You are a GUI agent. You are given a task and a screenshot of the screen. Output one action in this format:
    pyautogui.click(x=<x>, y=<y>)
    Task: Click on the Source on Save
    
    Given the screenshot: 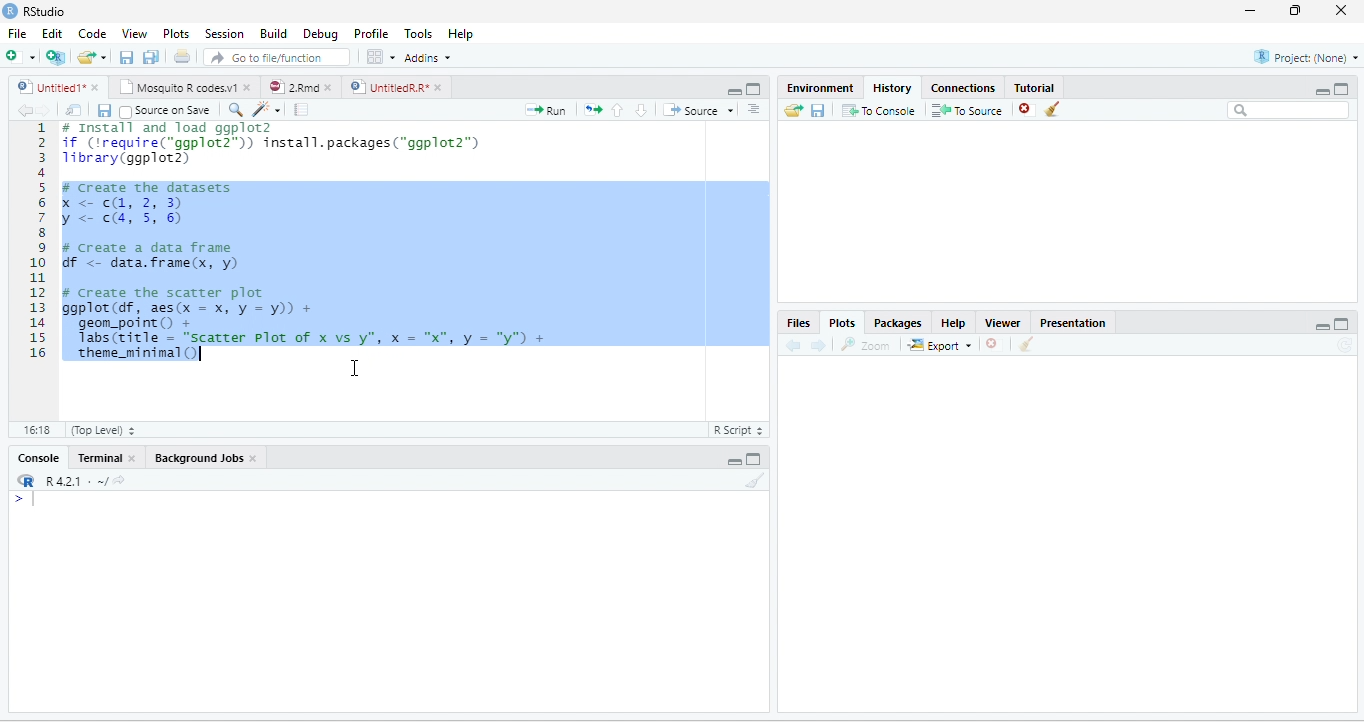 What is the action you would take?
    pyautogui.click(x=166, y=112)
    